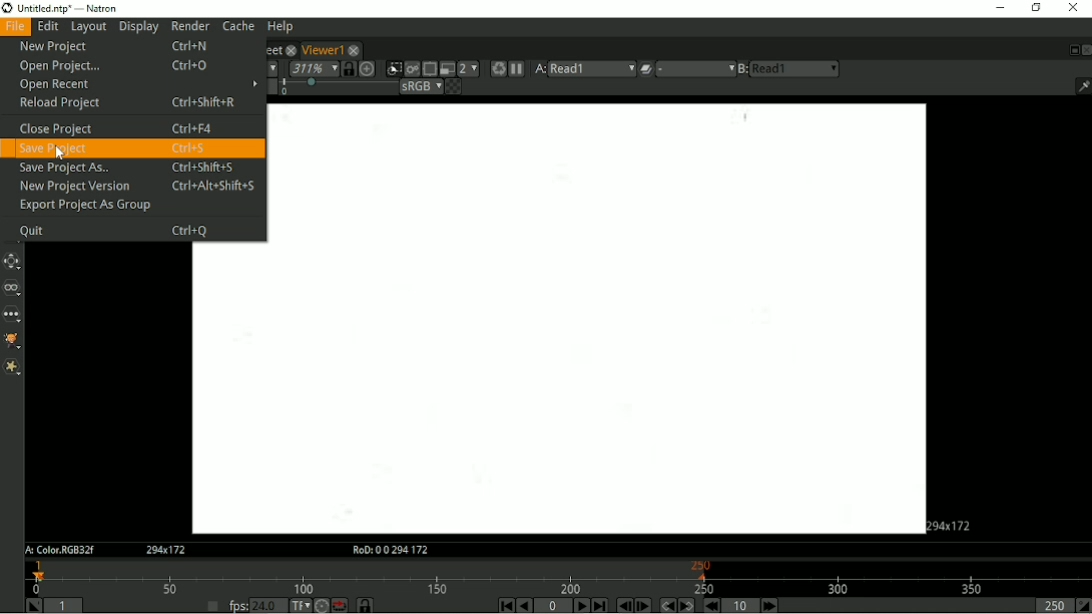 This screenshot has width=1092, height=614. What do you see at coordinates (470, 68) in the screenshot?
I see `Scale down rendered image` at bounding box center [470, 68].